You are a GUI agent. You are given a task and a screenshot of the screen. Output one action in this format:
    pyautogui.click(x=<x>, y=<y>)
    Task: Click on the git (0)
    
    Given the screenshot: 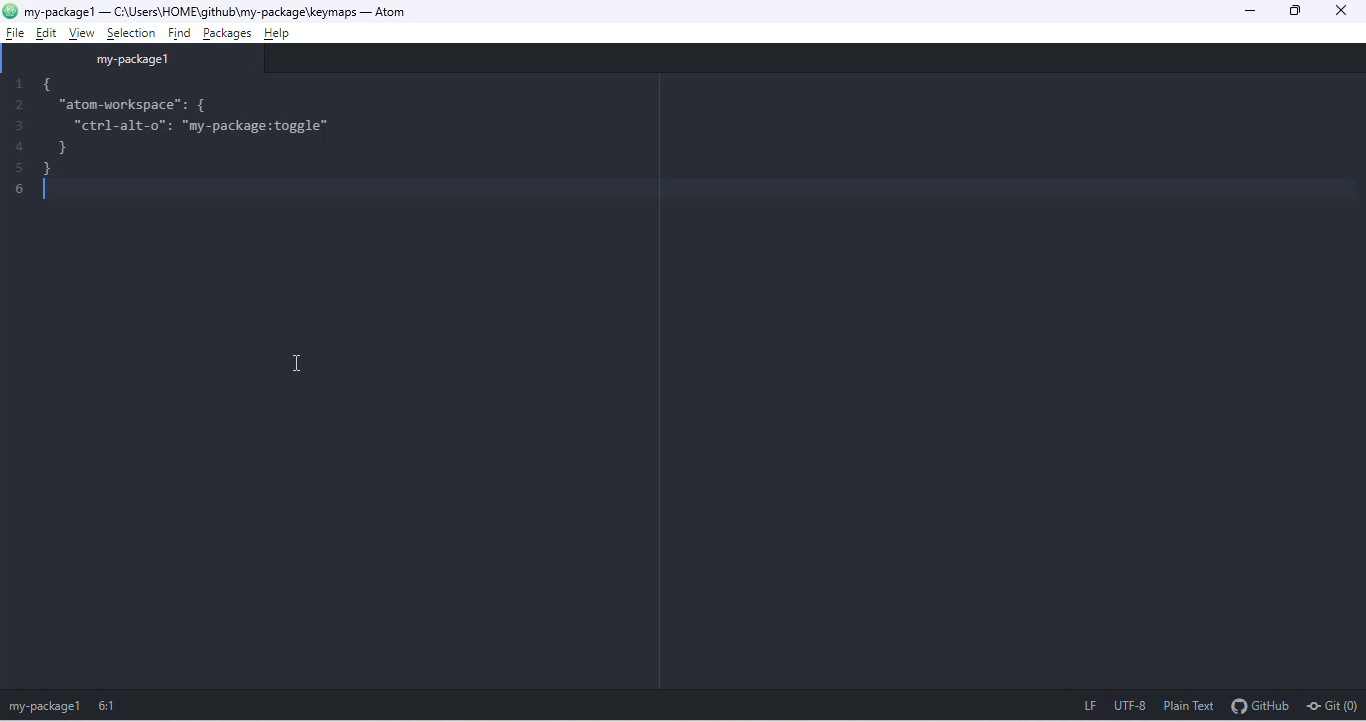 What is the action you would take?
    pyautogui.click(x=1334, y=708)
    